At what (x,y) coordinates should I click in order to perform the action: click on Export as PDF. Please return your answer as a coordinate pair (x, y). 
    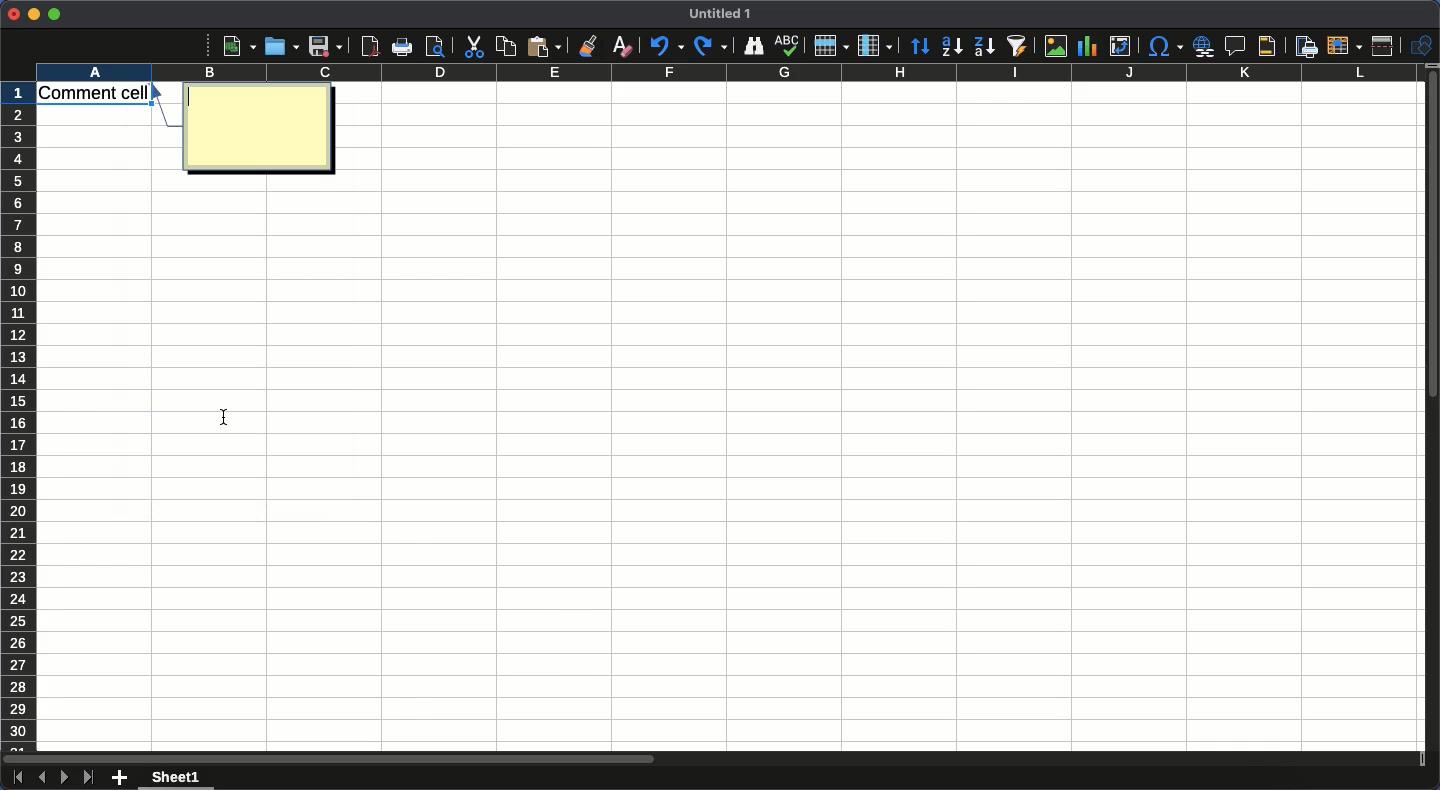
    Looking at the image, I should click on (367, 46).